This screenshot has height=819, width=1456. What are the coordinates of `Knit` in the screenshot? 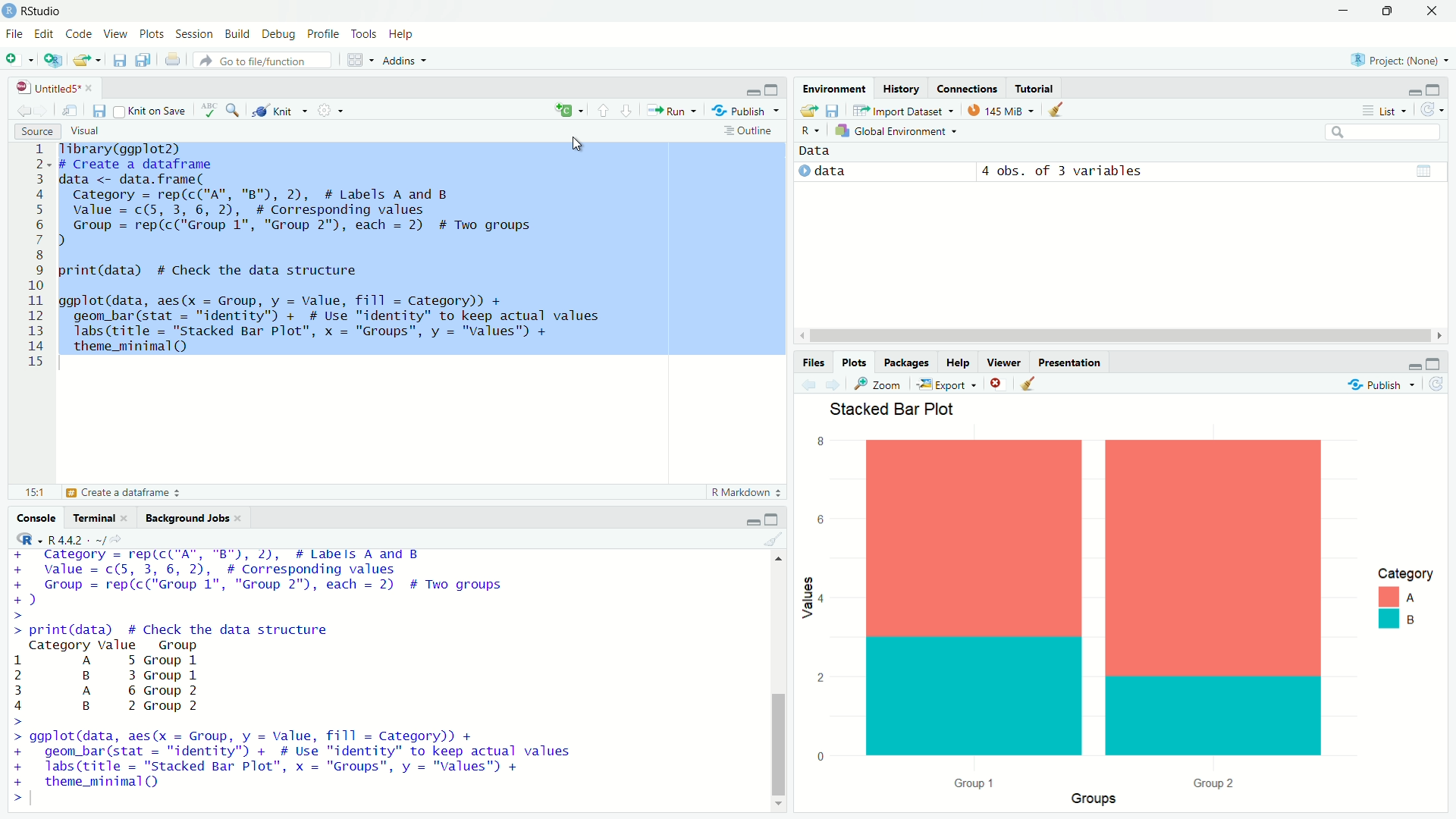 It's located at (278, 108).